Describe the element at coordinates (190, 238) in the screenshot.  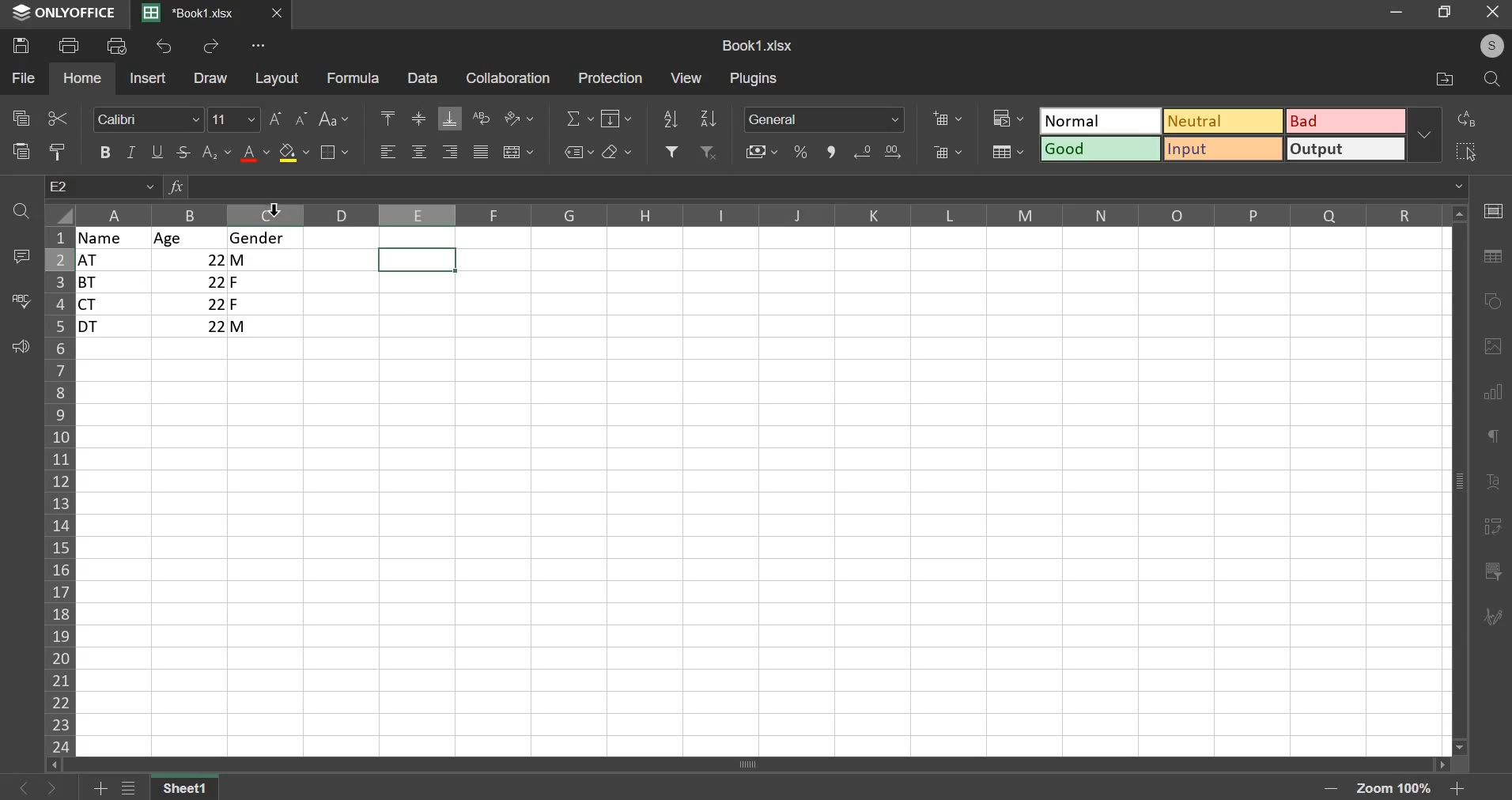
I see `age` at that location.